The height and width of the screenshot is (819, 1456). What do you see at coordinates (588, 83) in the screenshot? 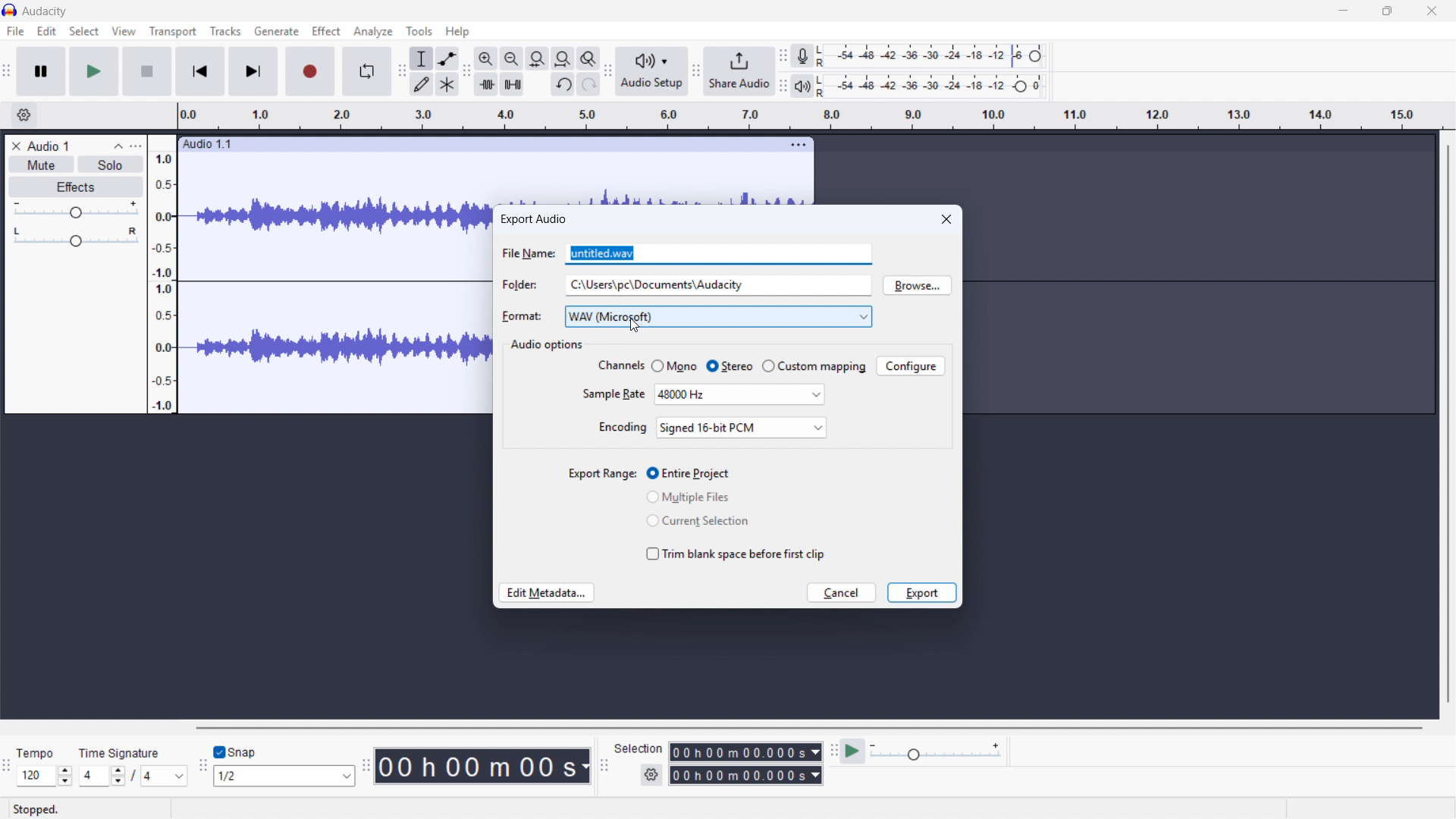
I see `Redo ` at bounding box center [588, 83].